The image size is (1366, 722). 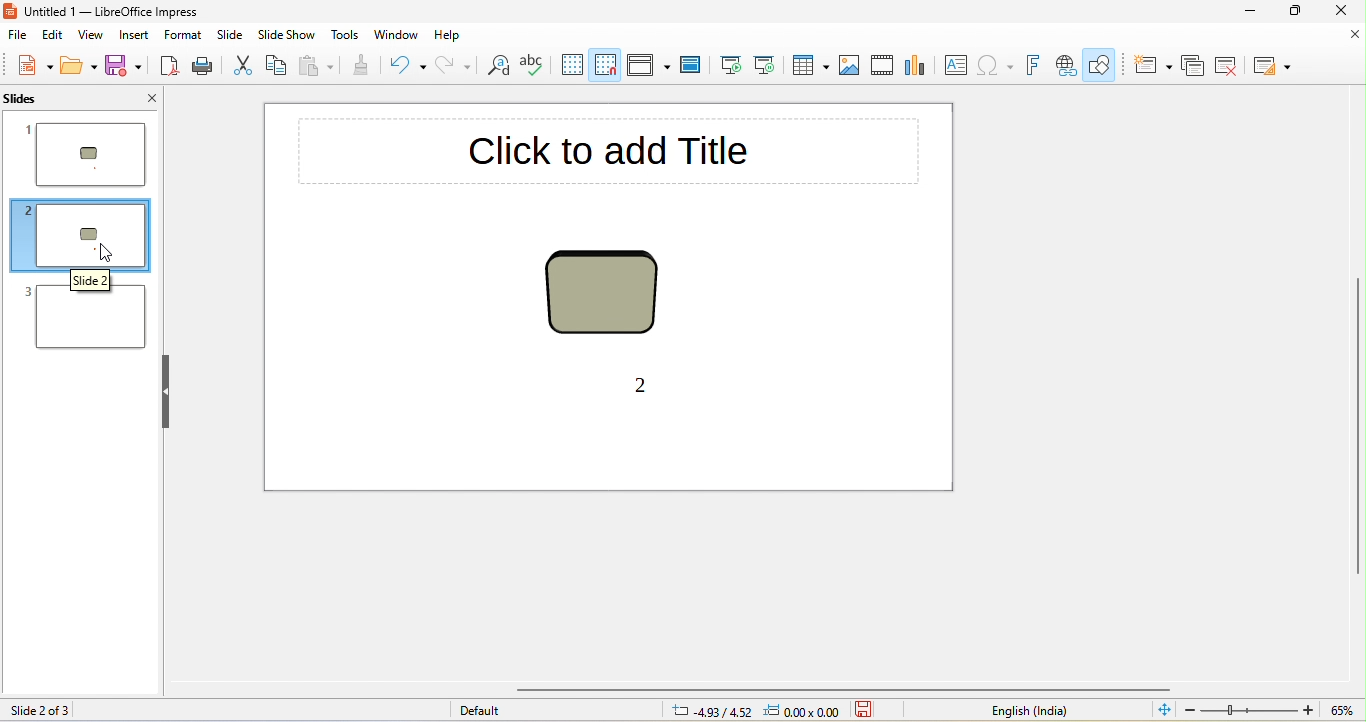 What do you see at coordinates (1194, 65) in the screenshot?
I see `duplicate slide` at bounding box center [1194, 65].